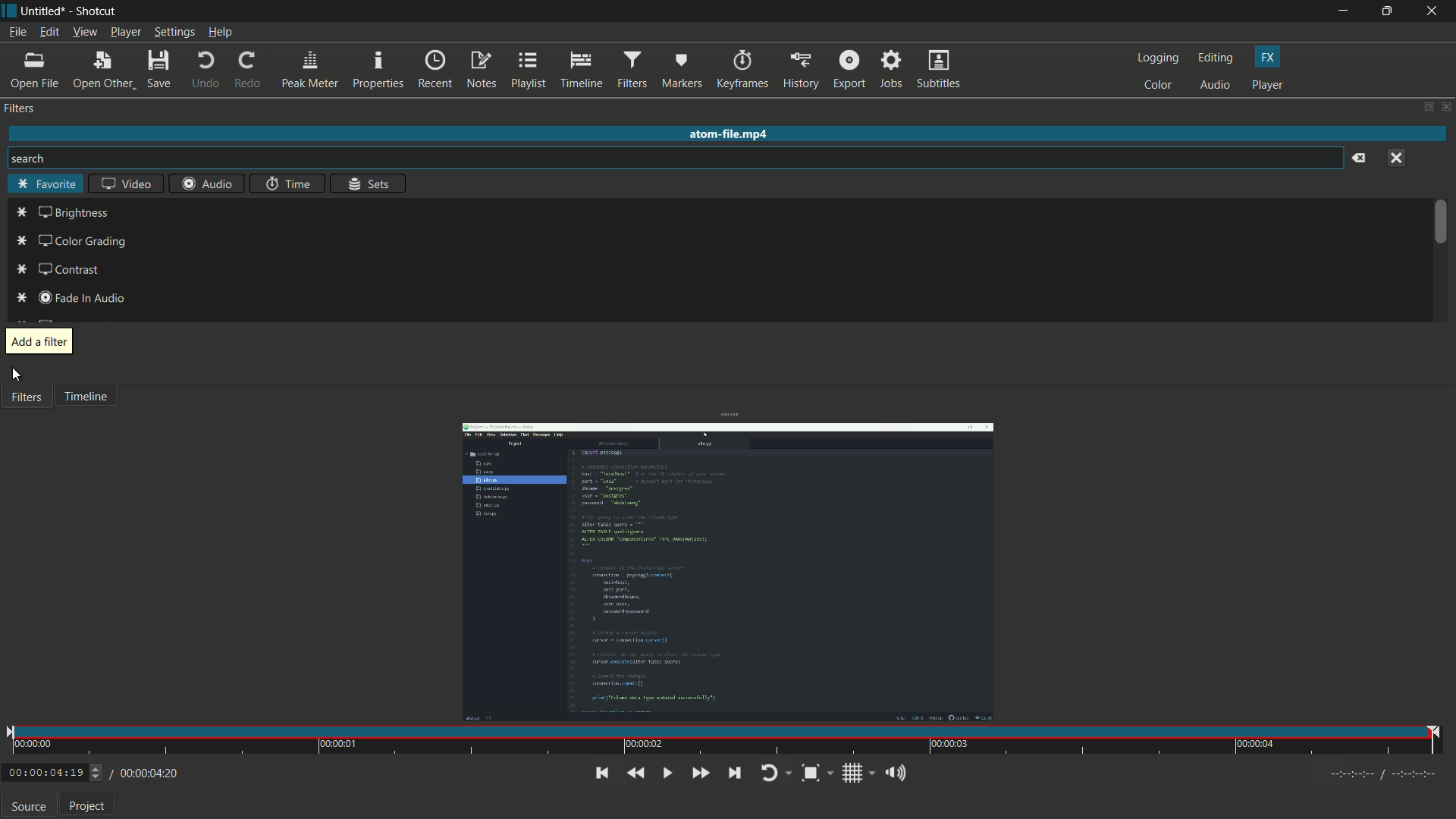  Describe the element at coordinates (739, 773) in the screenshot. I see `skip to the next point` at that location.